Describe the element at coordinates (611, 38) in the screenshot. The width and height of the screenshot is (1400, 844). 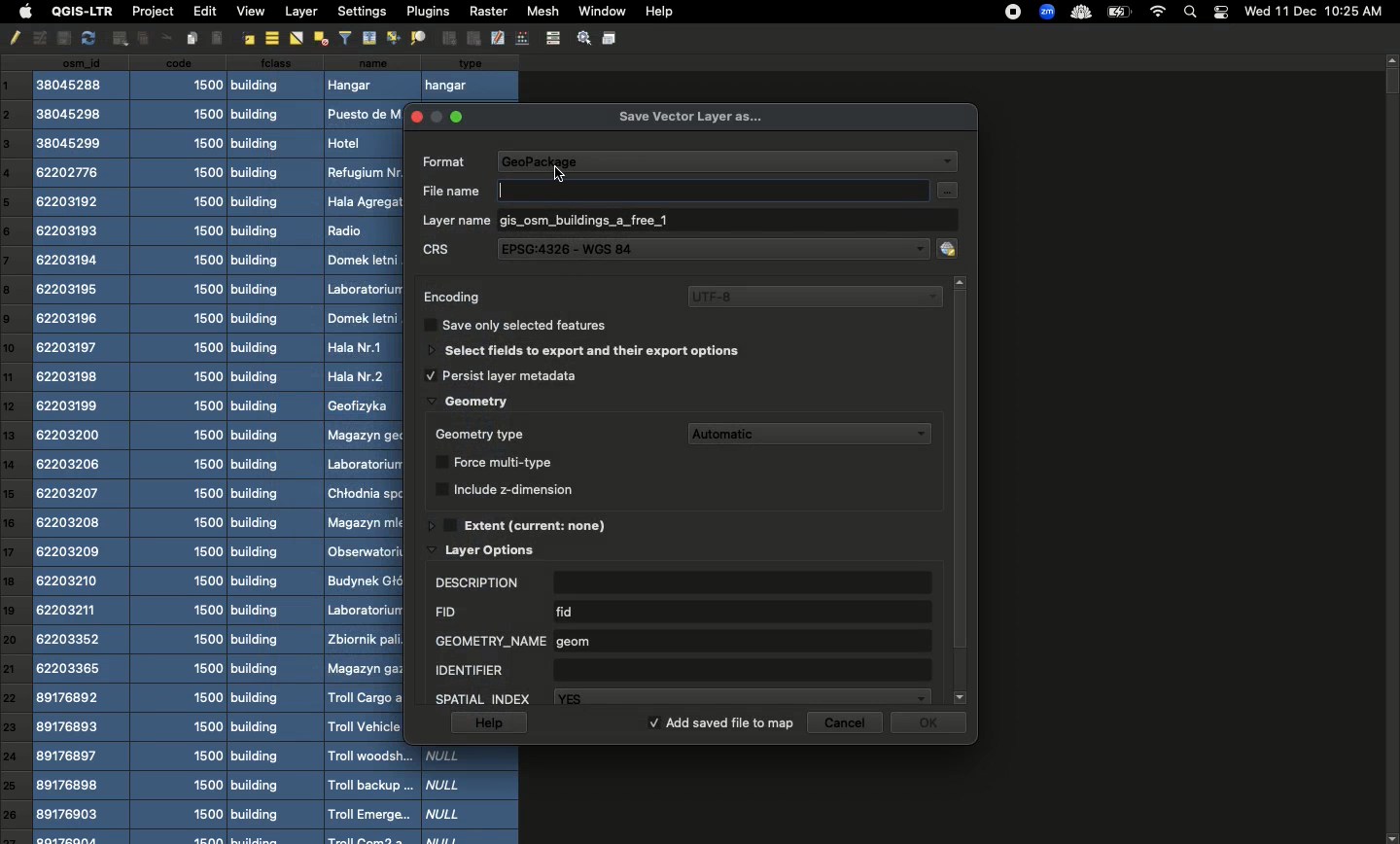
I see `Save` at that location.